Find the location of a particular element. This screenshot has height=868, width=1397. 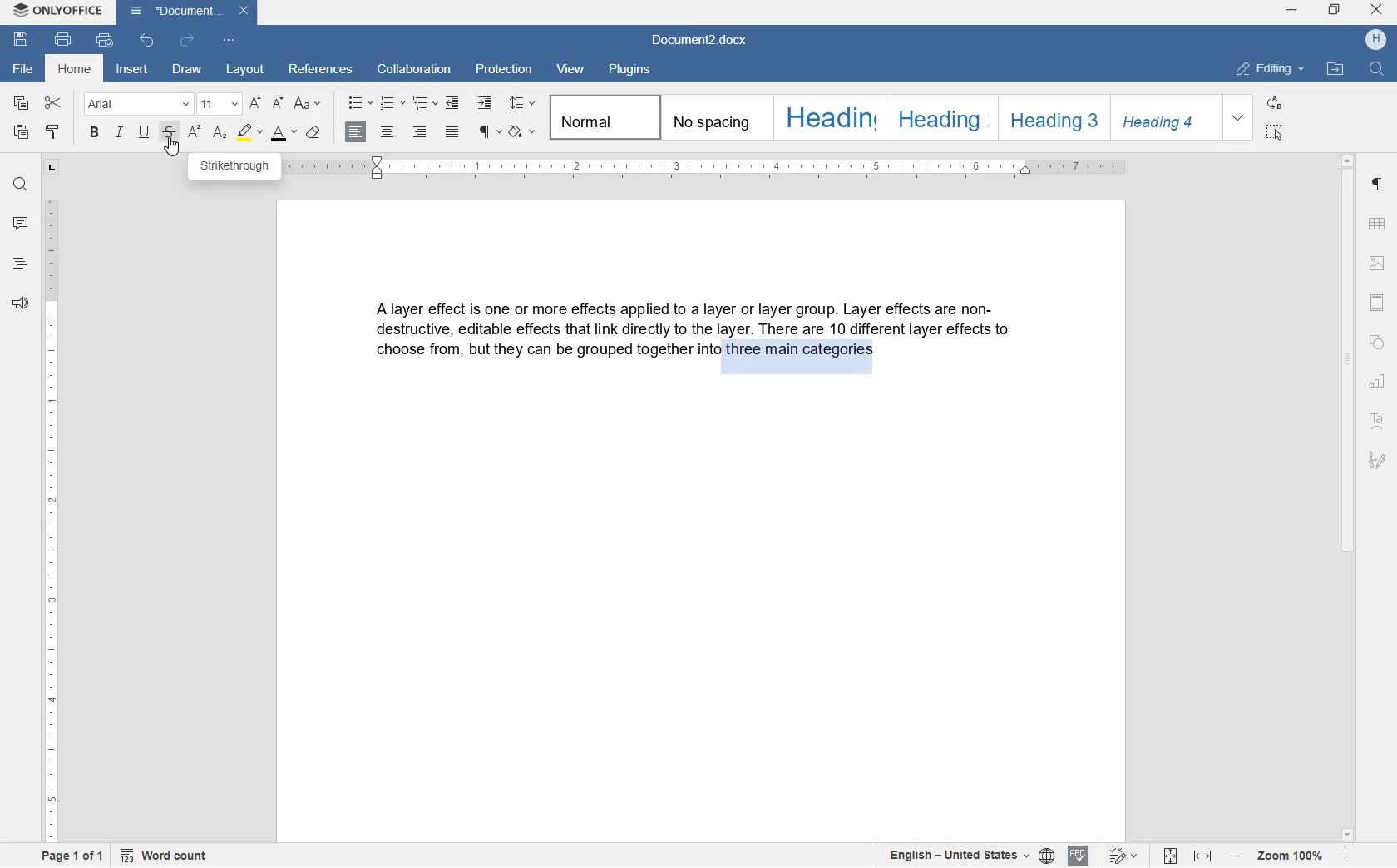

non printing character is located at coordinates (486, 130).